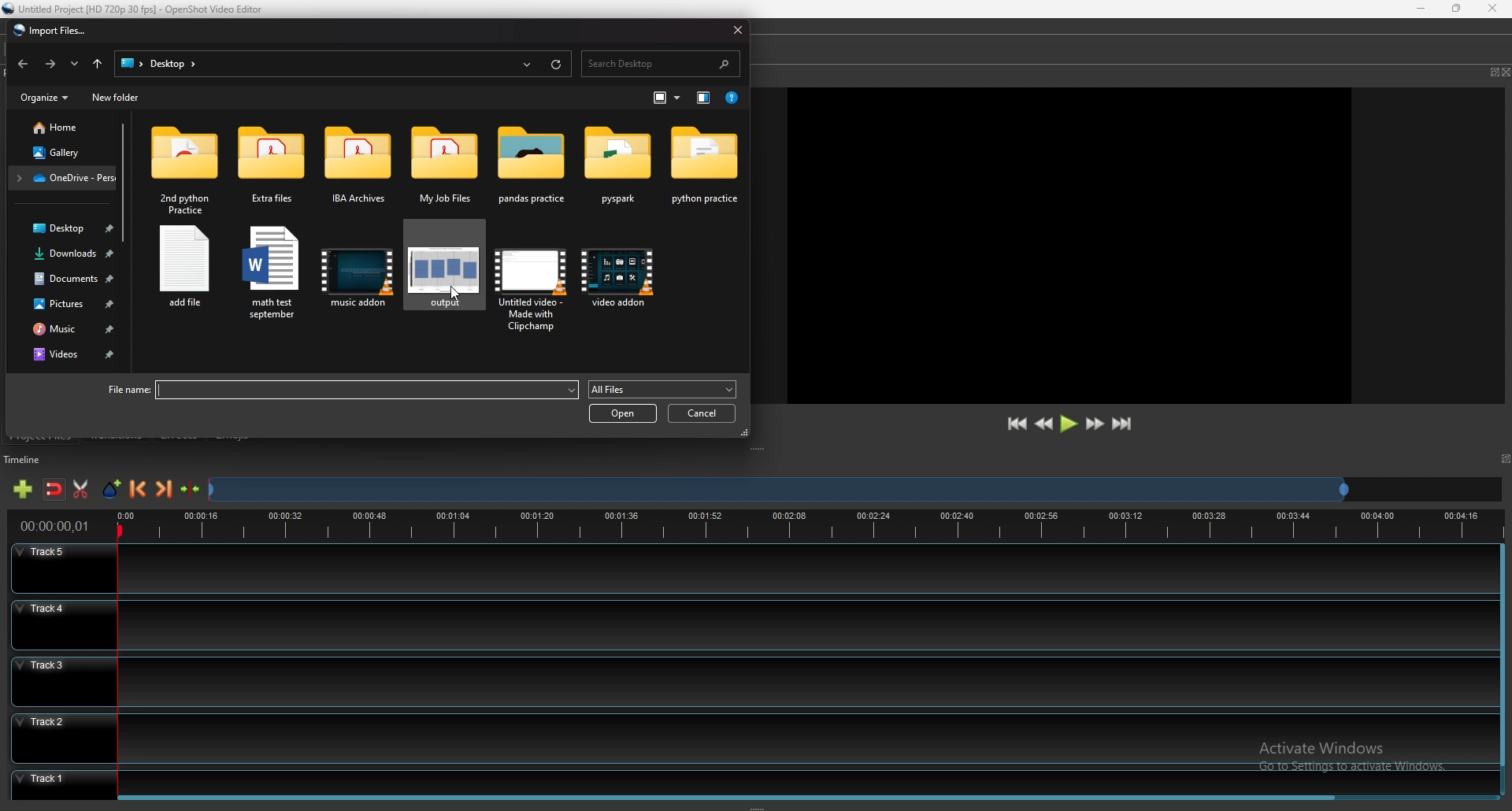 This screenshot has width=1512, height=811. What do you see at coordinates (704, 97) in the screenshot?
I see `show preview pane` at bounding box center [704, 97].